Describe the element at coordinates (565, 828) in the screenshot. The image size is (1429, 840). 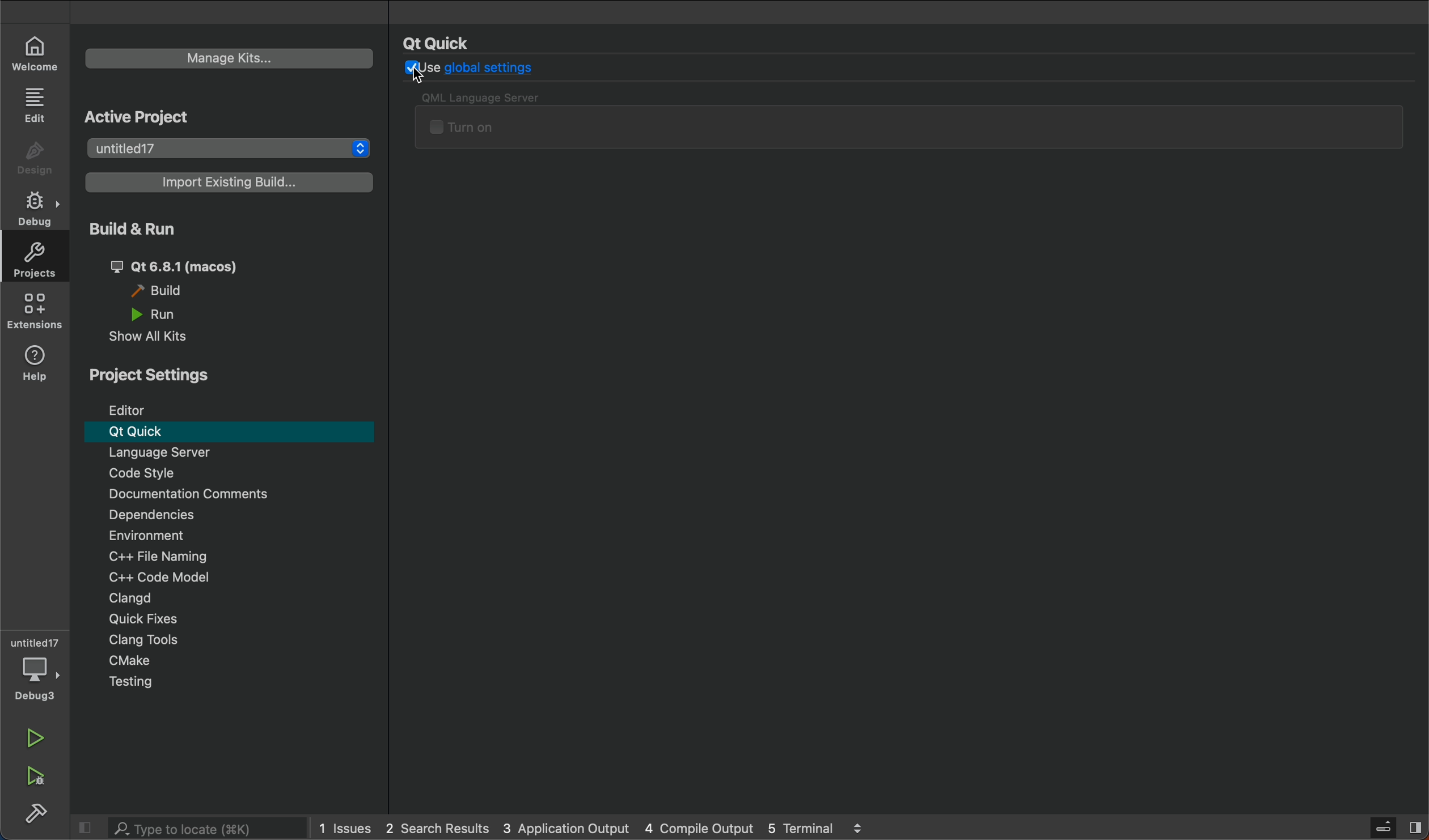
I see `pplication output` at that location.